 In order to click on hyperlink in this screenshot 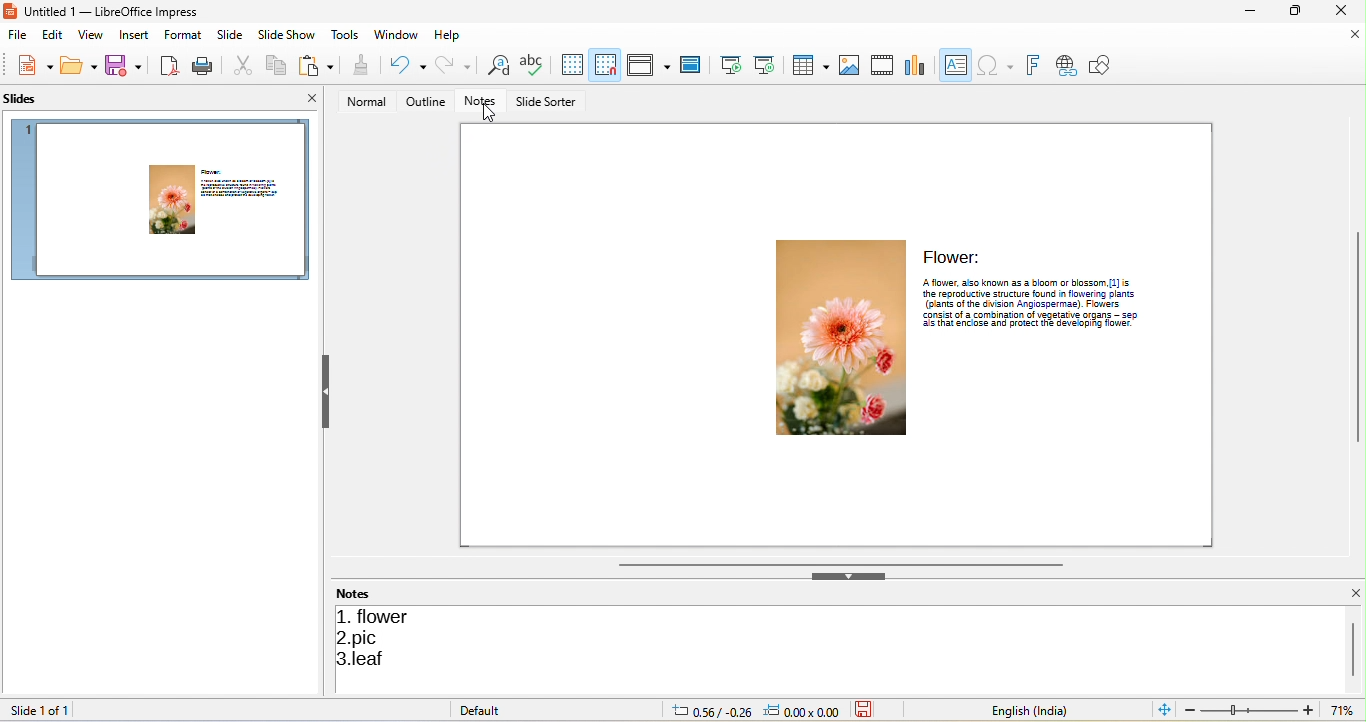, I will do `click(1064, 65)`.